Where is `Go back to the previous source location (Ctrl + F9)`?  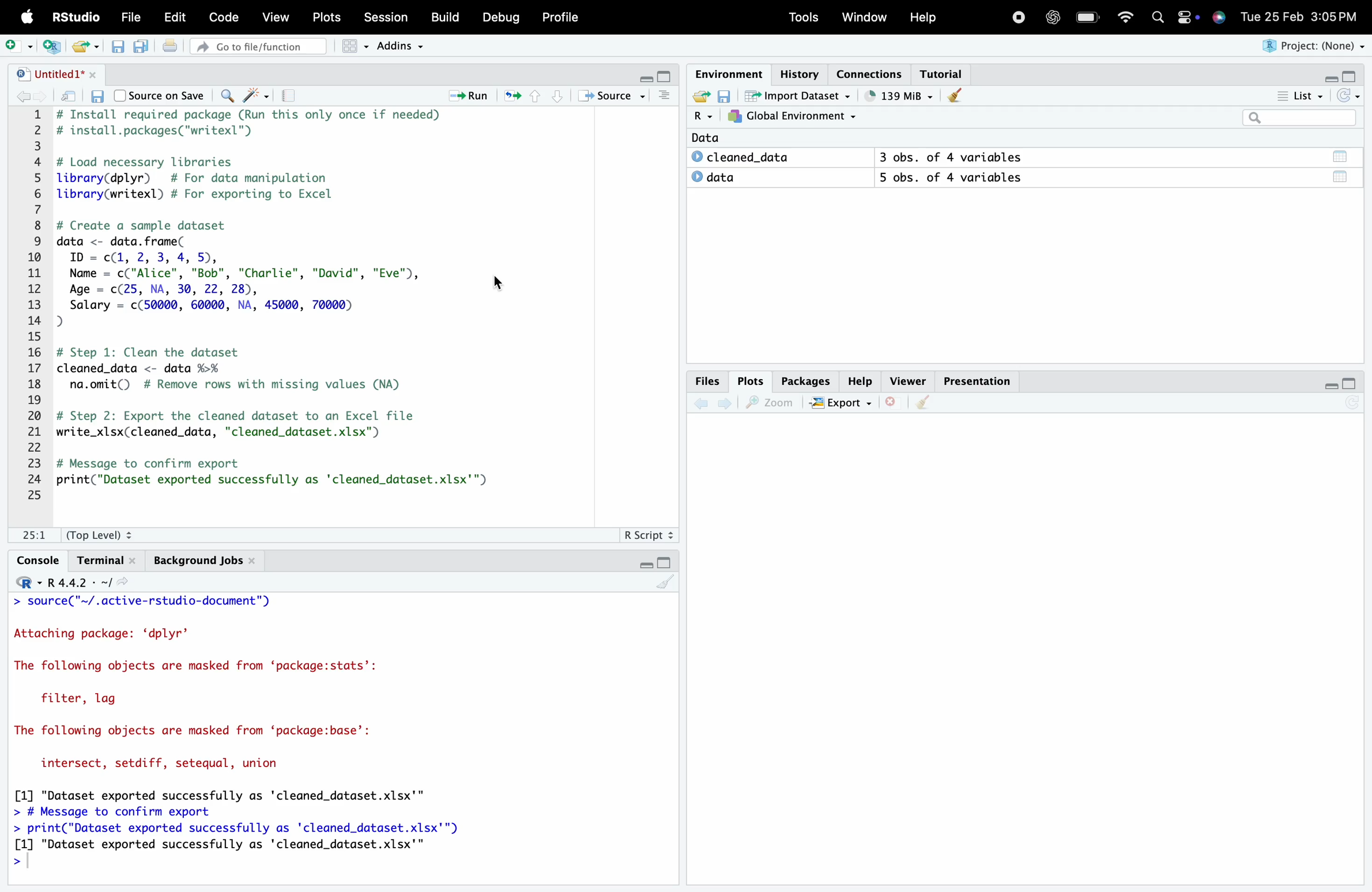
Go back to the previous source location (Ctrl + F9) is located at coordinates (21, 96).